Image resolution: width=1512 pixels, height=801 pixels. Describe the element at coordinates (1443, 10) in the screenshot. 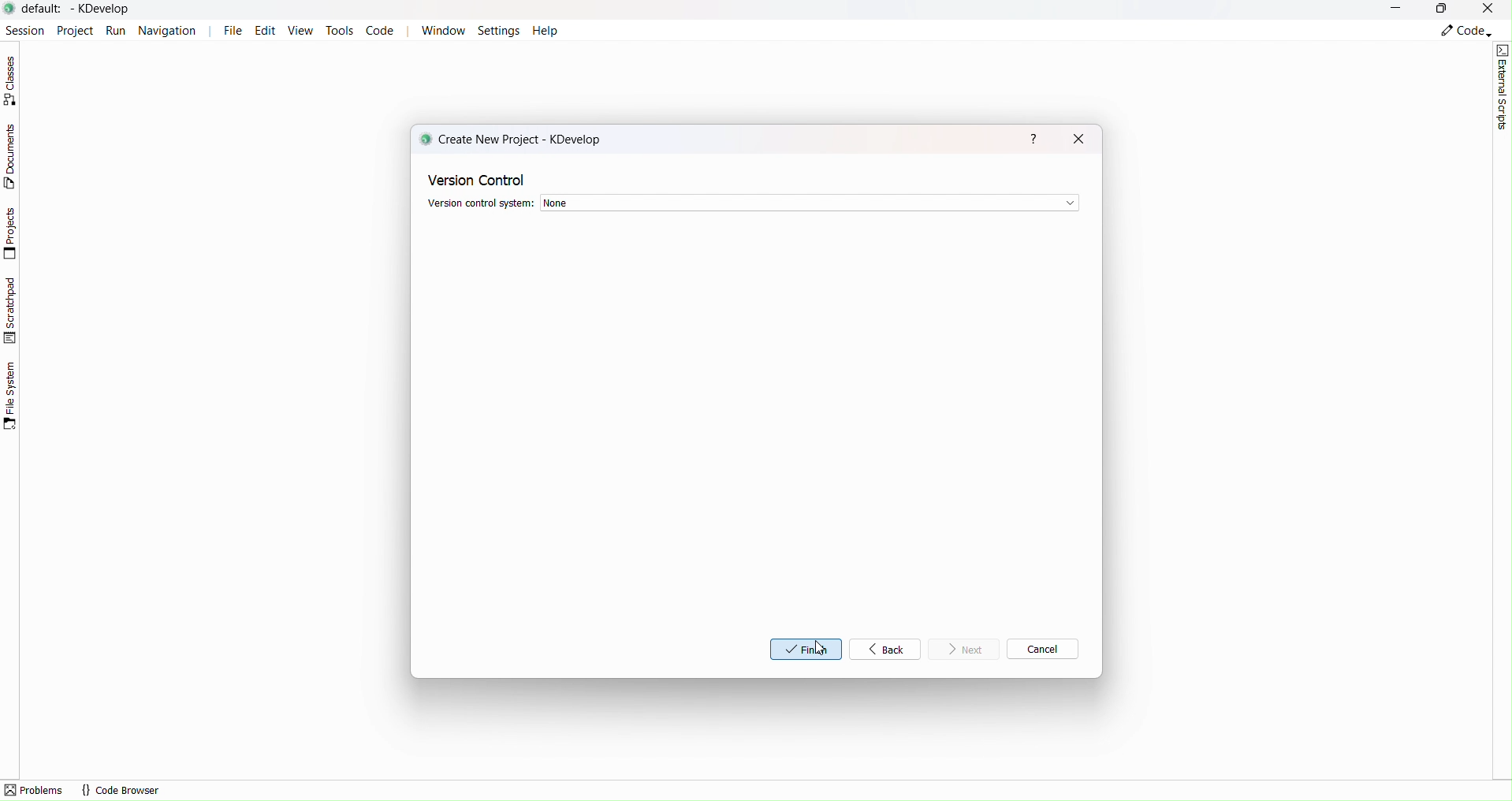

I see `Box` at that location.